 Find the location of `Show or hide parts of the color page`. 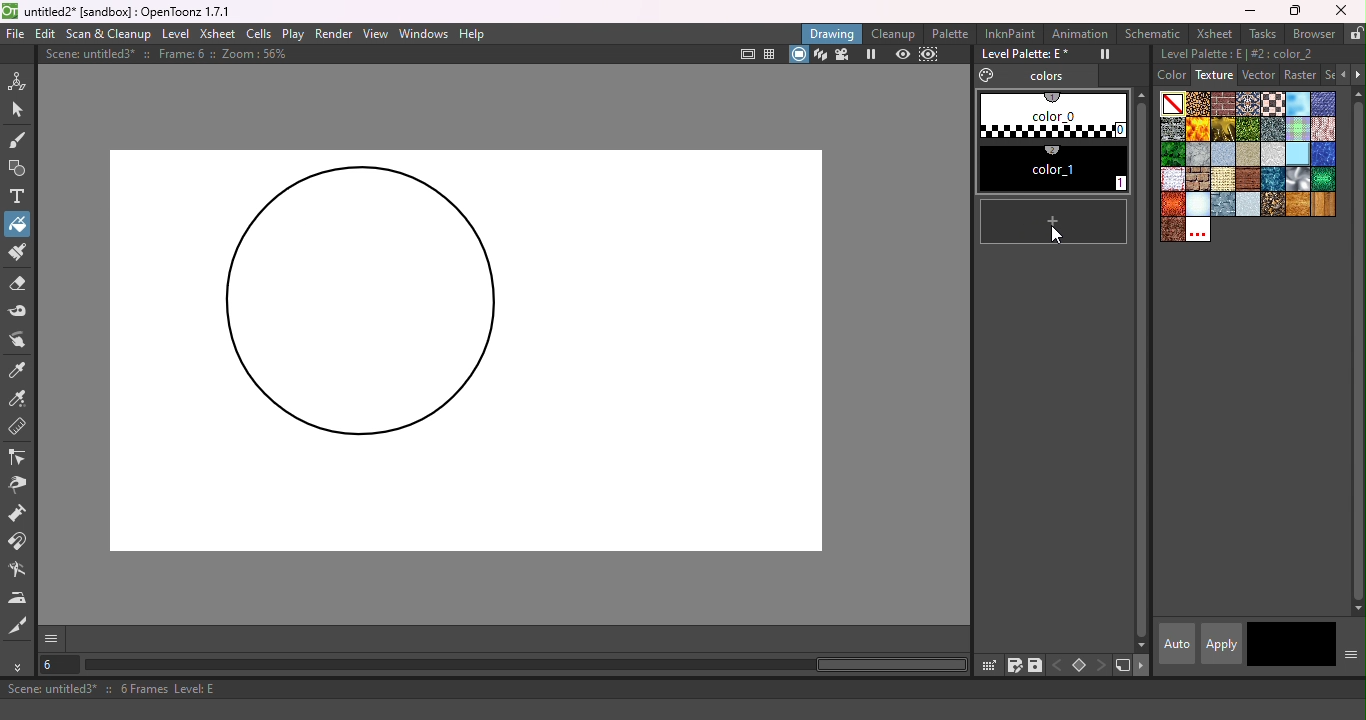

Show or hide parts of the color page is located at coordinates (1349, 658).